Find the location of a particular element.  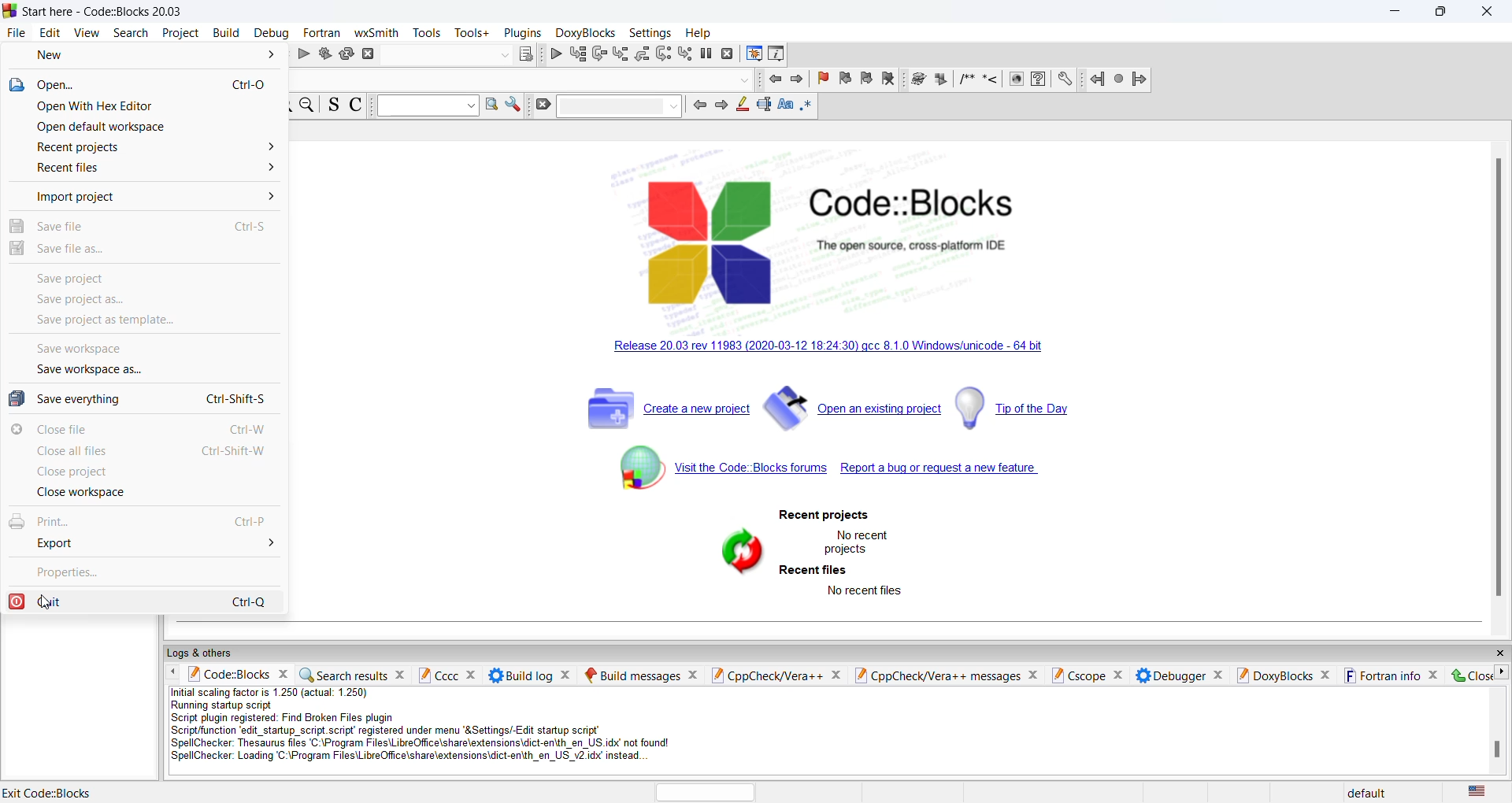

default is located at coordinates (1367, 790).